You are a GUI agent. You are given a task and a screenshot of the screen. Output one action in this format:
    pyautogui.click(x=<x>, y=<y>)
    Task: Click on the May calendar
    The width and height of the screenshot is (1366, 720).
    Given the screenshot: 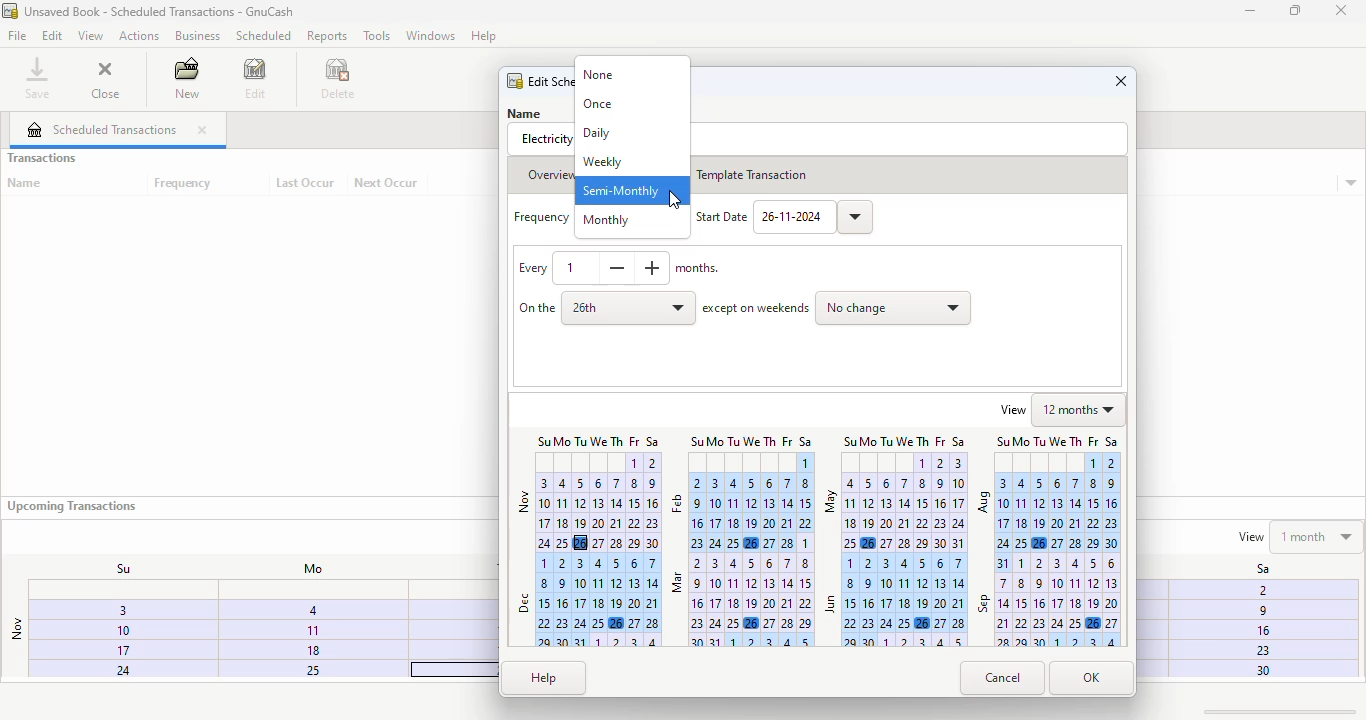 What is the action you would take?
    pyautogui.click(x=895, y=492)
    